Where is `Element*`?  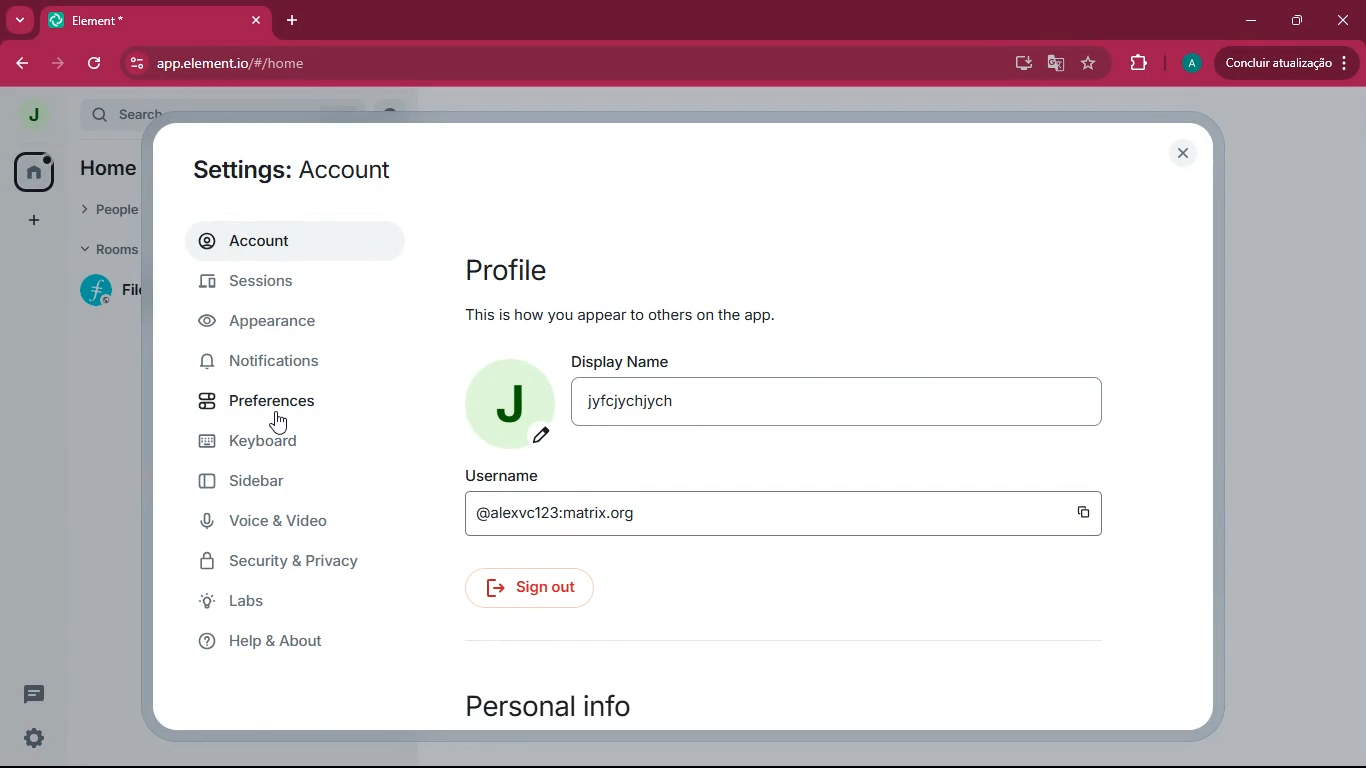 Element* is located at coordinates (127, 20).